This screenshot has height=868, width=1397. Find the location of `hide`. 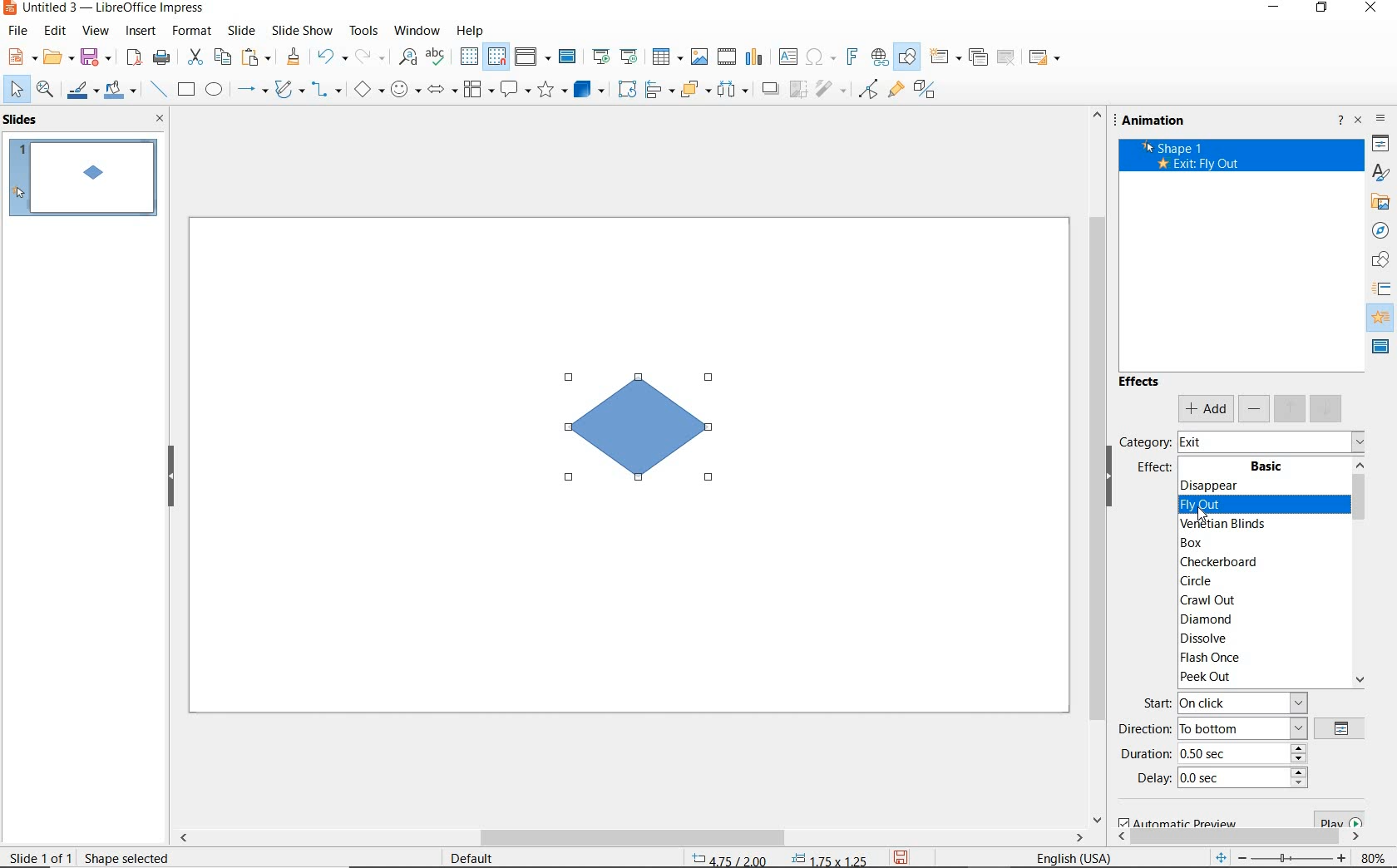

hide is located at coordinates (170, 478).